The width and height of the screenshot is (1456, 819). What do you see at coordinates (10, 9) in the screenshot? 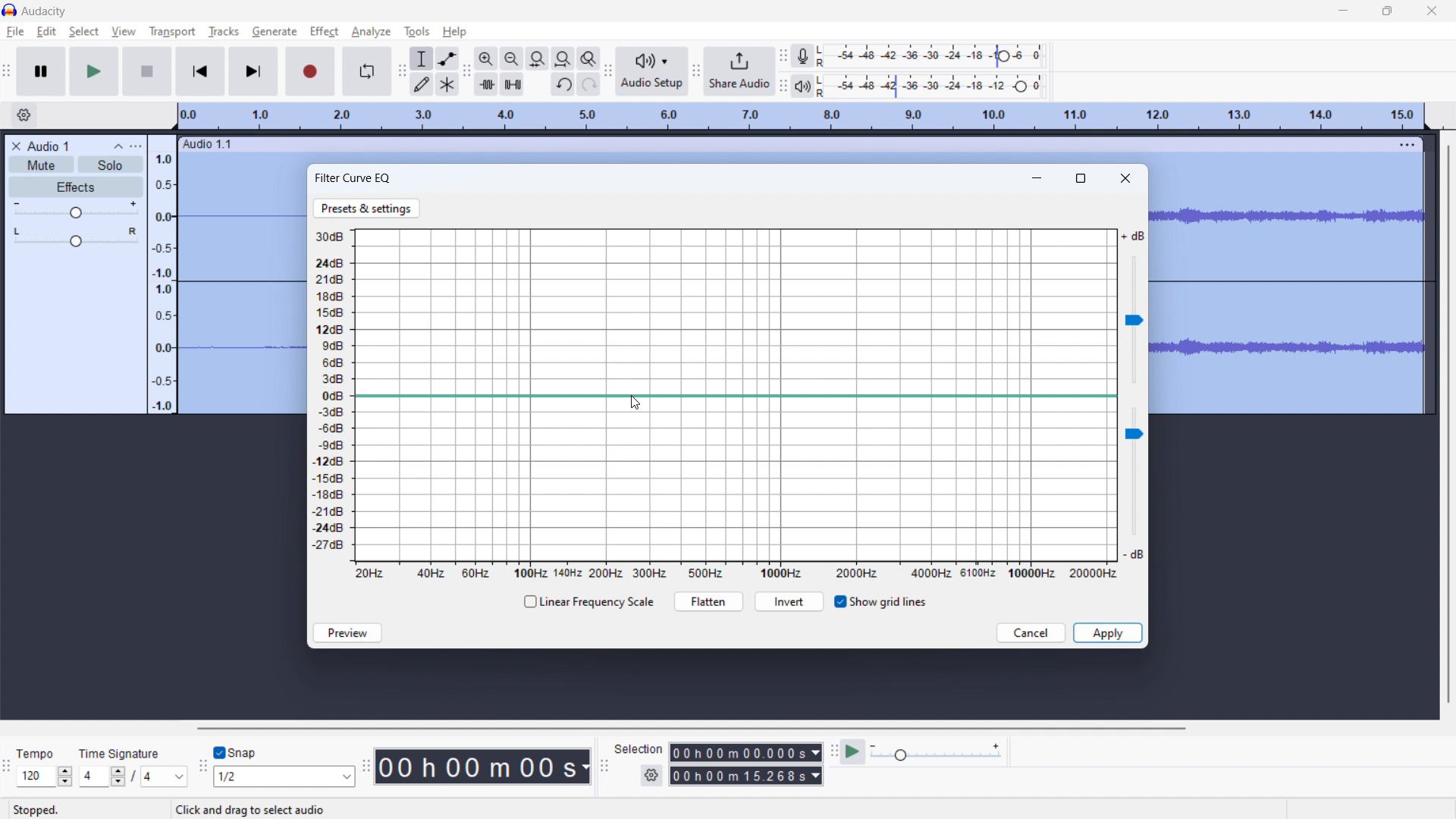
I see `logo` at bounding box center [10, 9].